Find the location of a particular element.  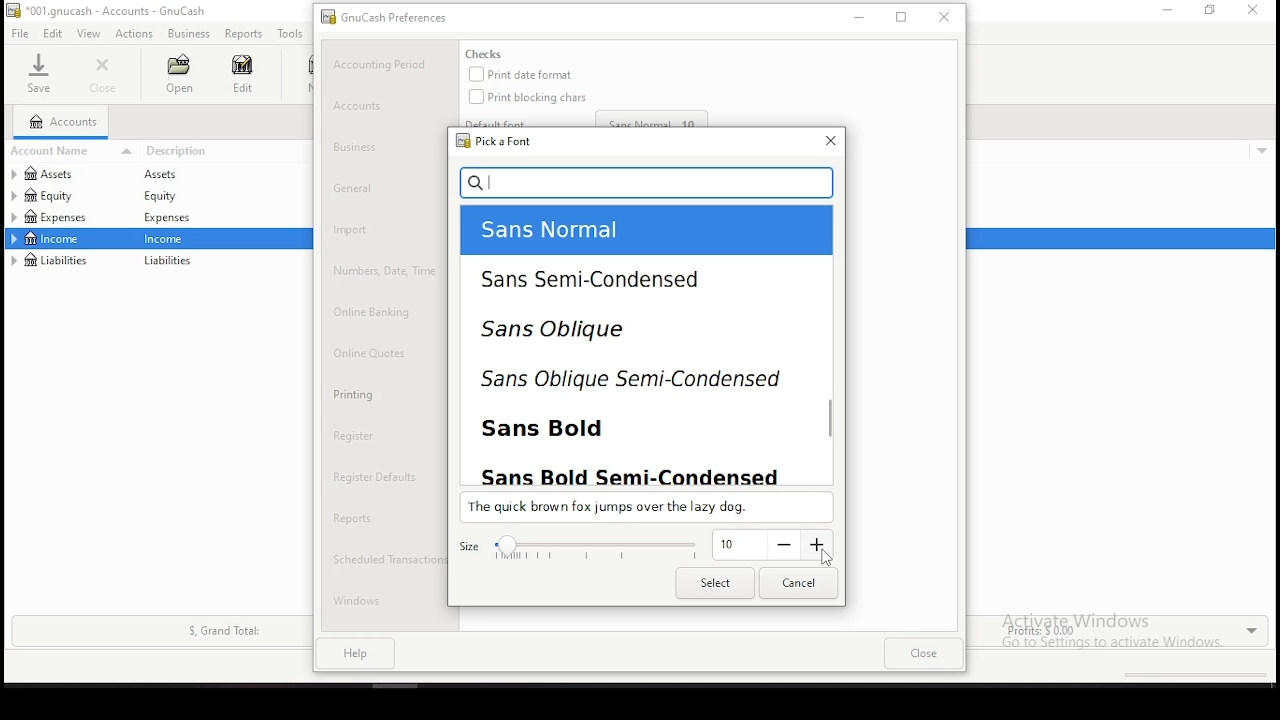

search fonts is located at coordinates (648, 182).